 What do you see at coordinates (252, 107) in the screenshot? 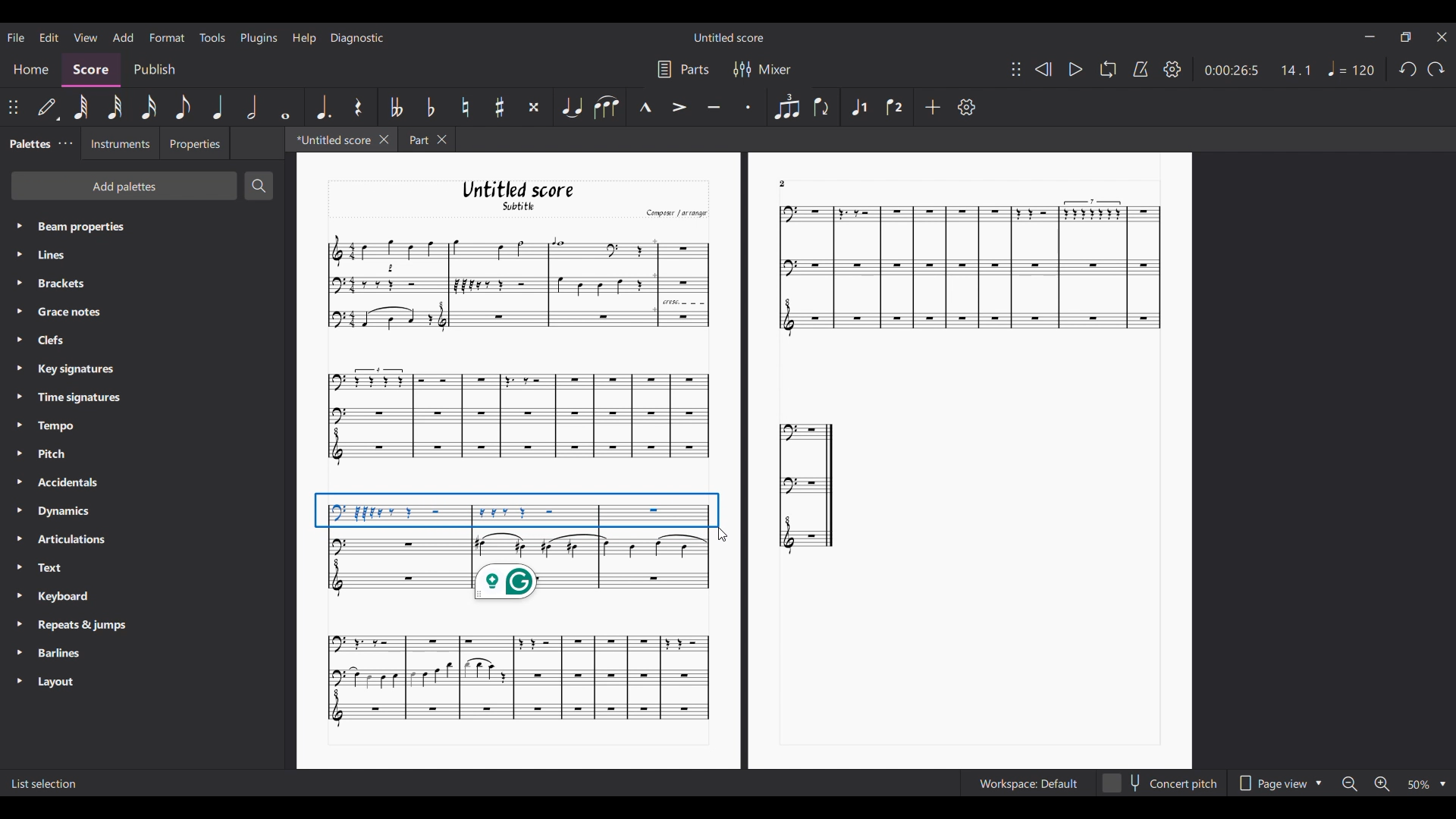
I see `Half note` at bounding box center [252, 107].